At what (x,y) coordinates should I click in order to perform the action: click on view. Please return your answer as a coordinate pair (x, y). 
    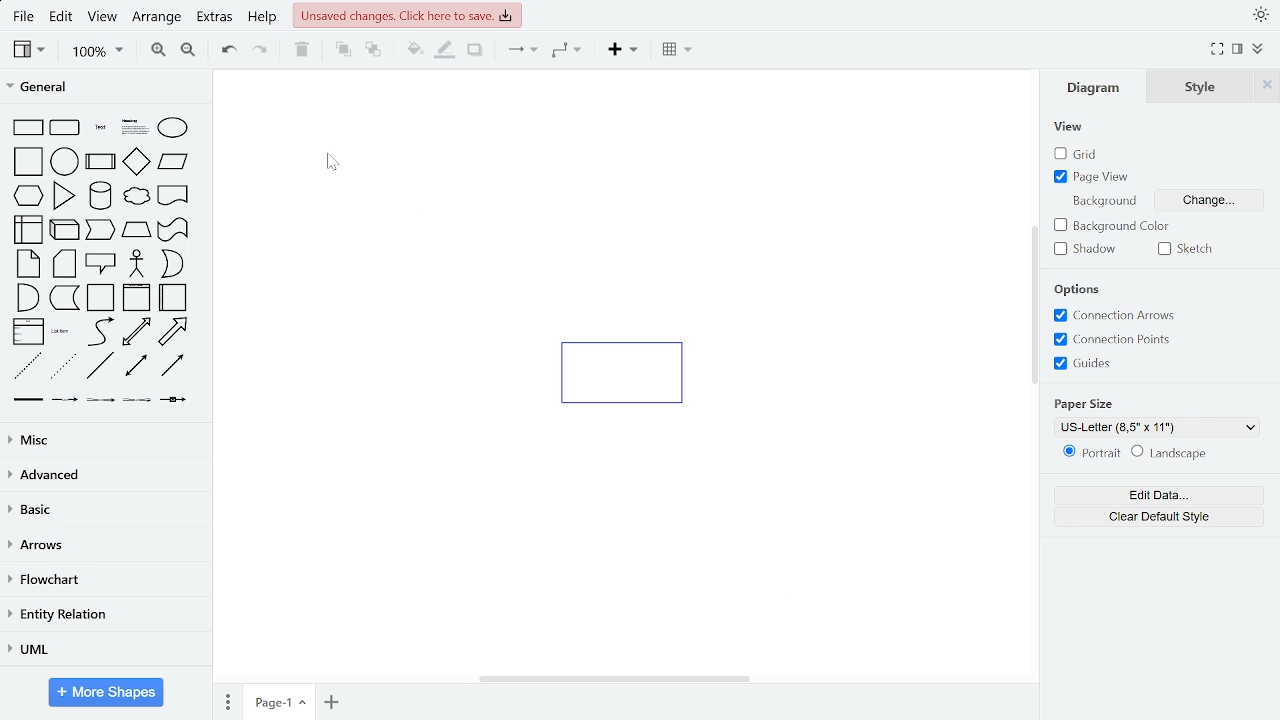
    Looking at the image, I should click on (102, 19).